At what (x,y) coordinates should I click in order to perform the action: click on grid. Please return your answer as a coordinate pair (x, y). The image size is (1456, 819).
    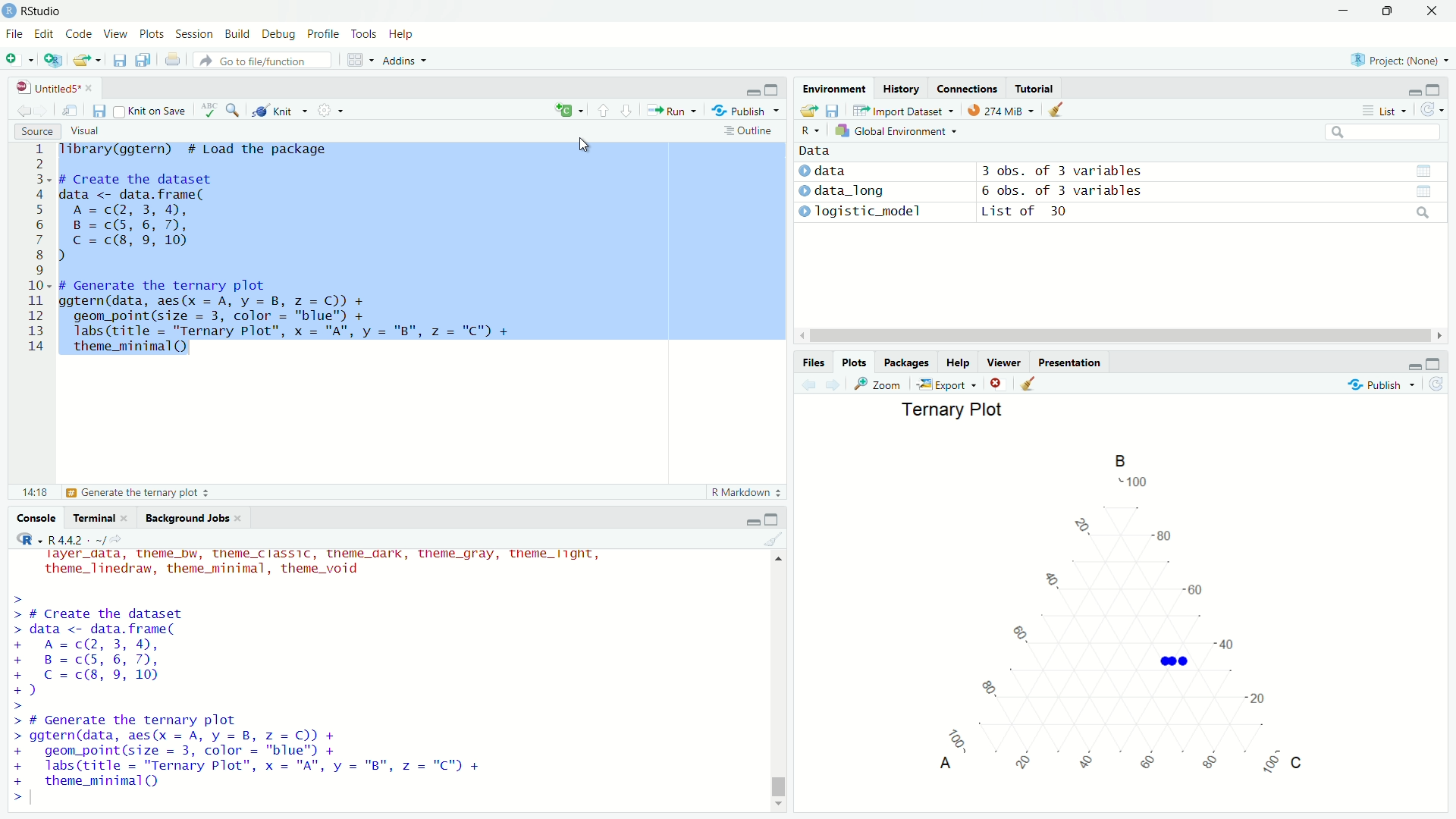
    Looking at the image, I should click on (361, 62).